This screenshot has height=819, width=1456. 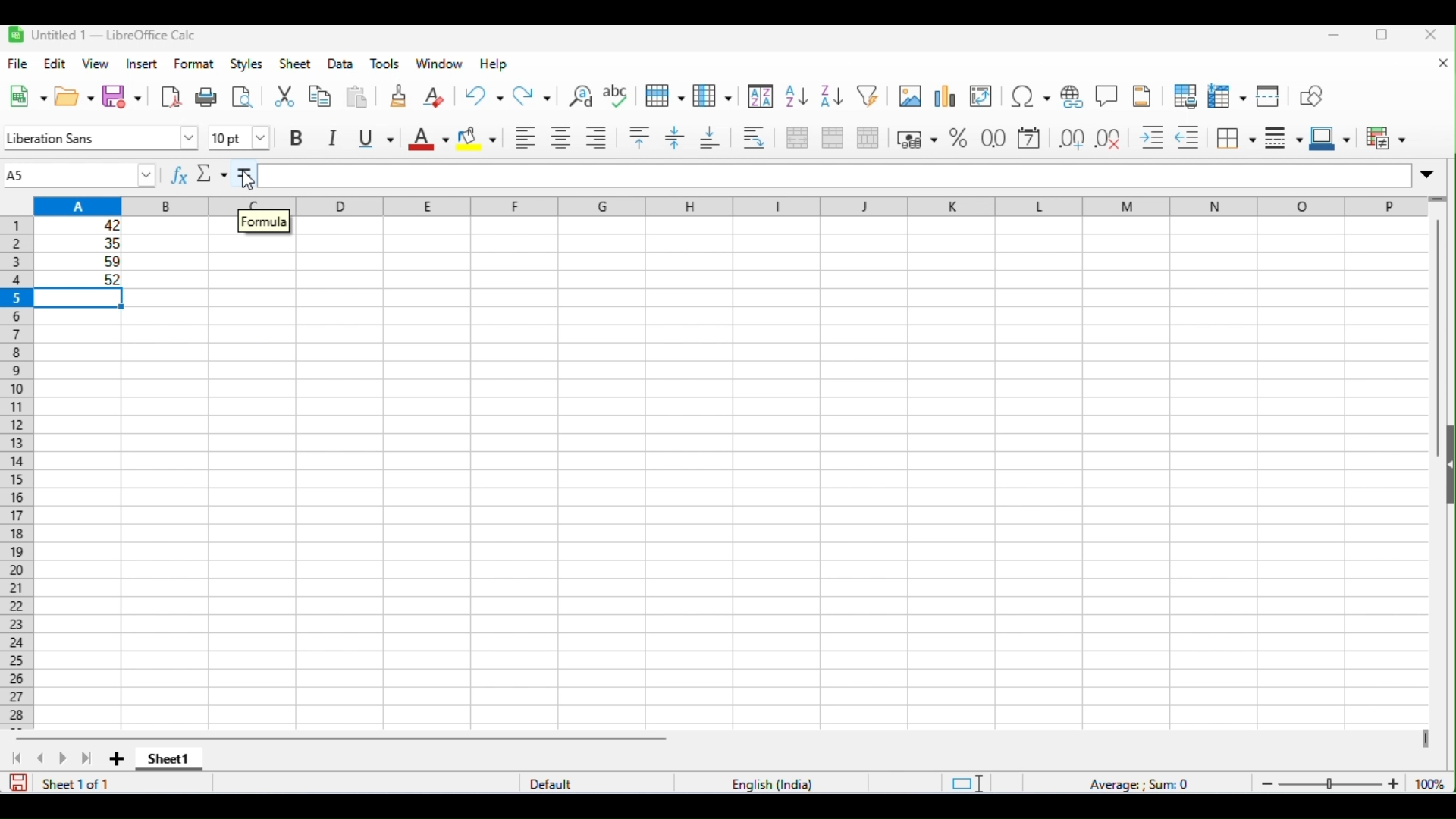 What do you see at coordinates (374, 138) in the screenshot?
I see `underline` at bounding box center [374, 138].